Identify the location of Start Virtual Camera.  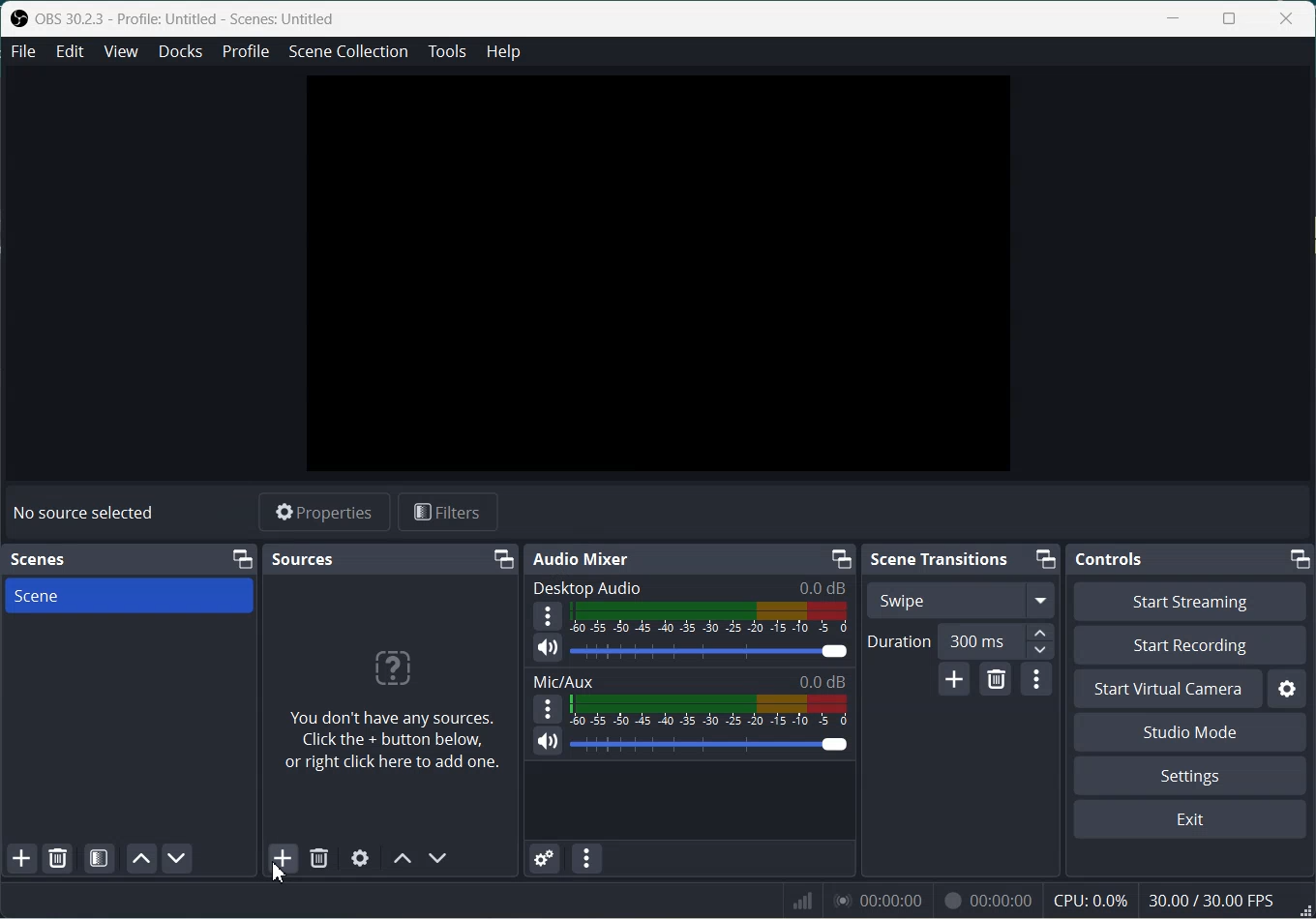
(1167, 690).